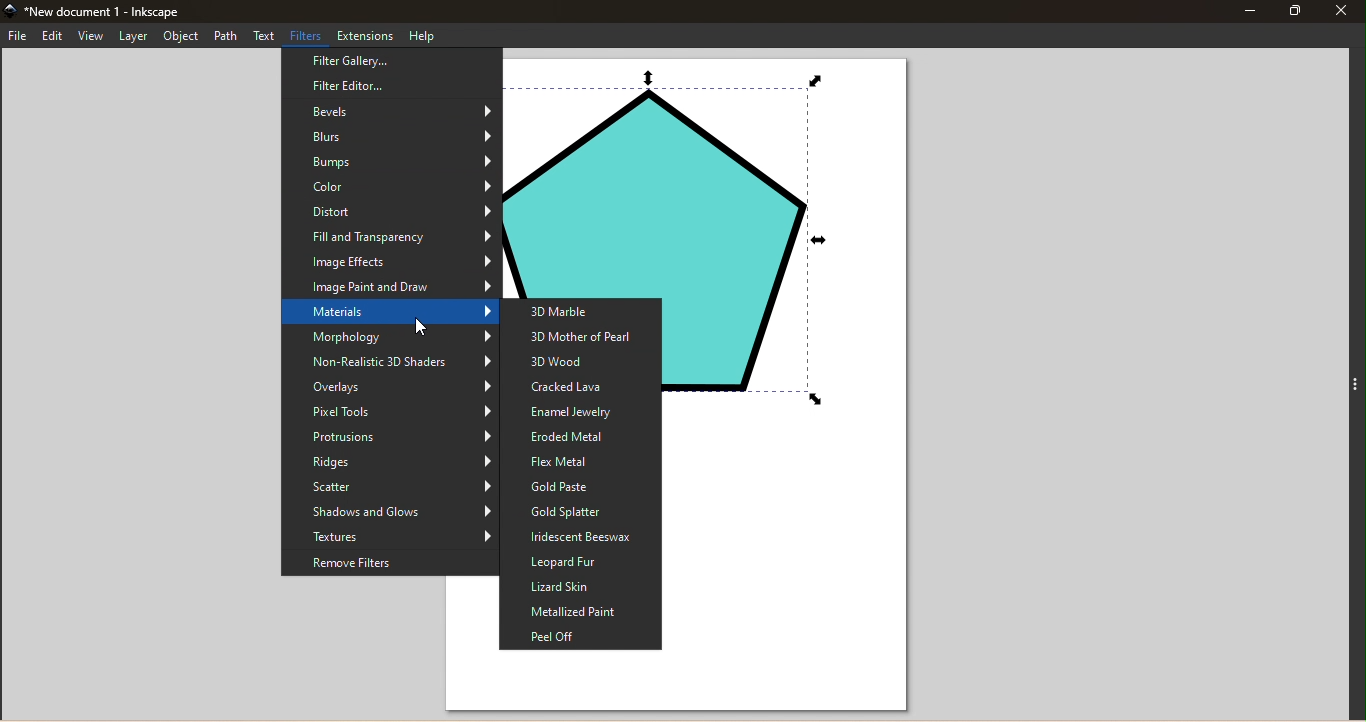 This screenshot has height=722, width=1366. I want to click on View, so click(89, 36).